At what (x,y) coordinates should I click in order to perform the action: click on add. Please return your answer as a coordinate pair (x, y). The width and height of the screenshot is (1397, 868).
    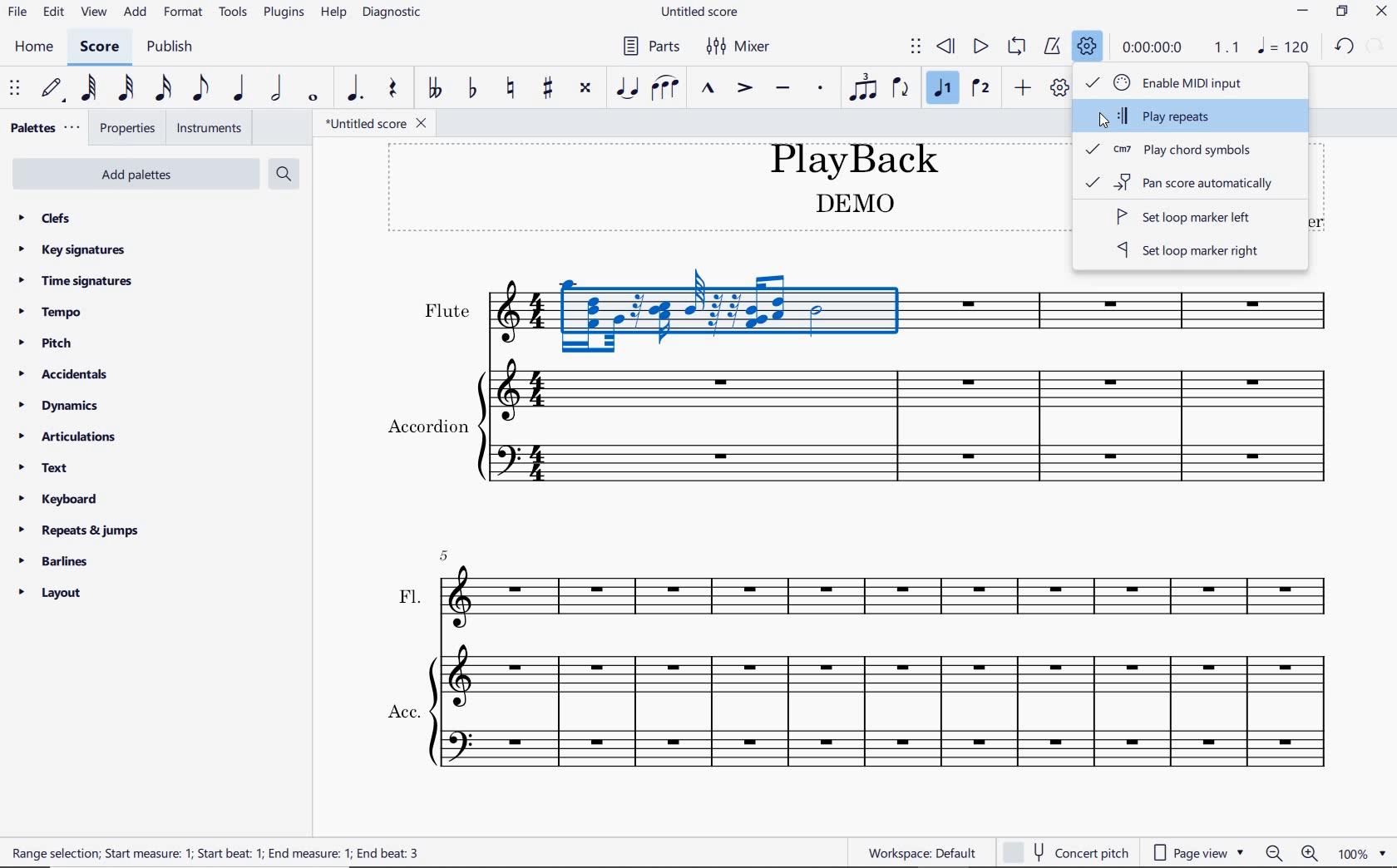
    Looking at the image, I should click on (135, 11).